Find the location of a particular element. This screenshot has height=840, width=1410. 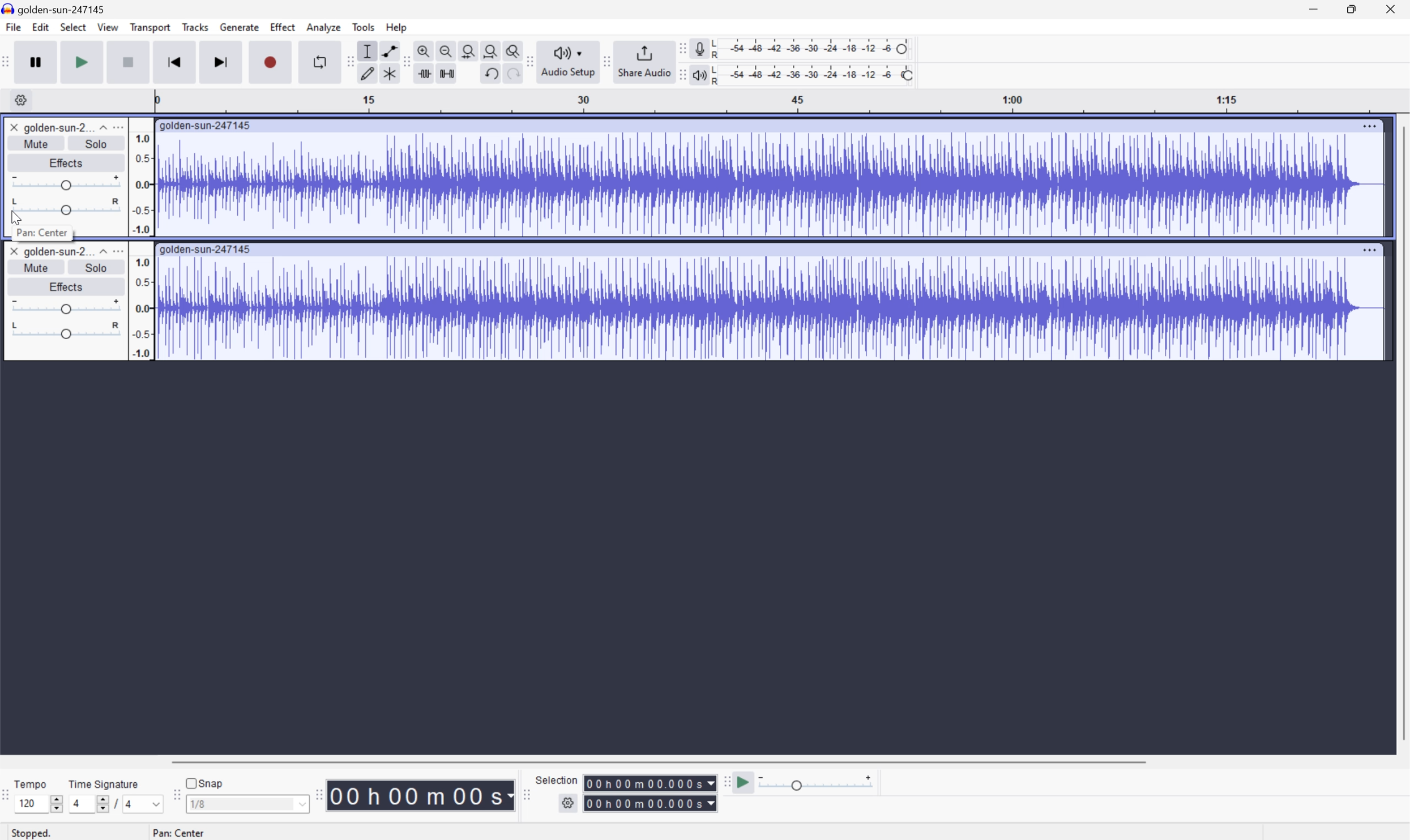

Restore Down is located at coordinates (1351, 8).